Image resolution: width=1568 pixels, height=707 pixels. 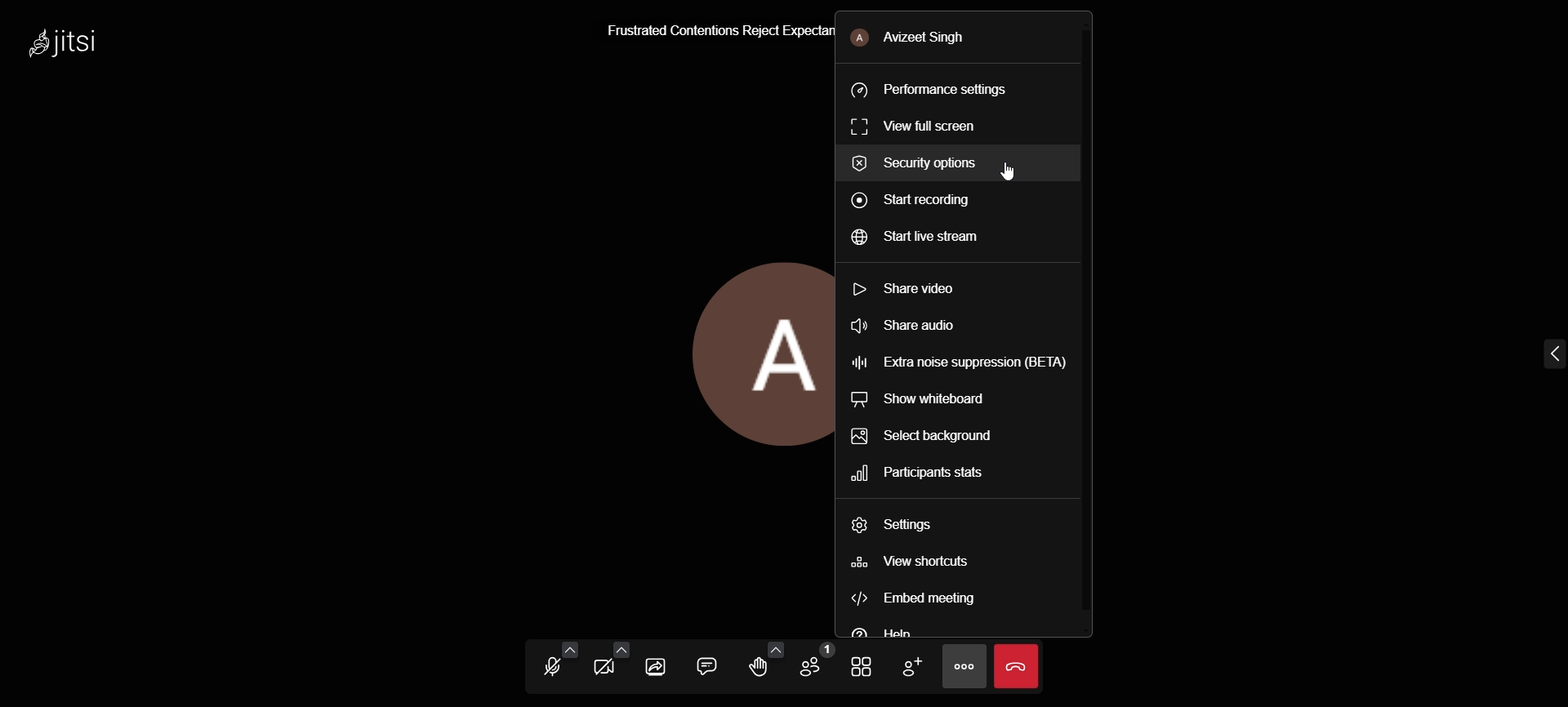 I want to click on cursor, so click(x=1007, y=175).